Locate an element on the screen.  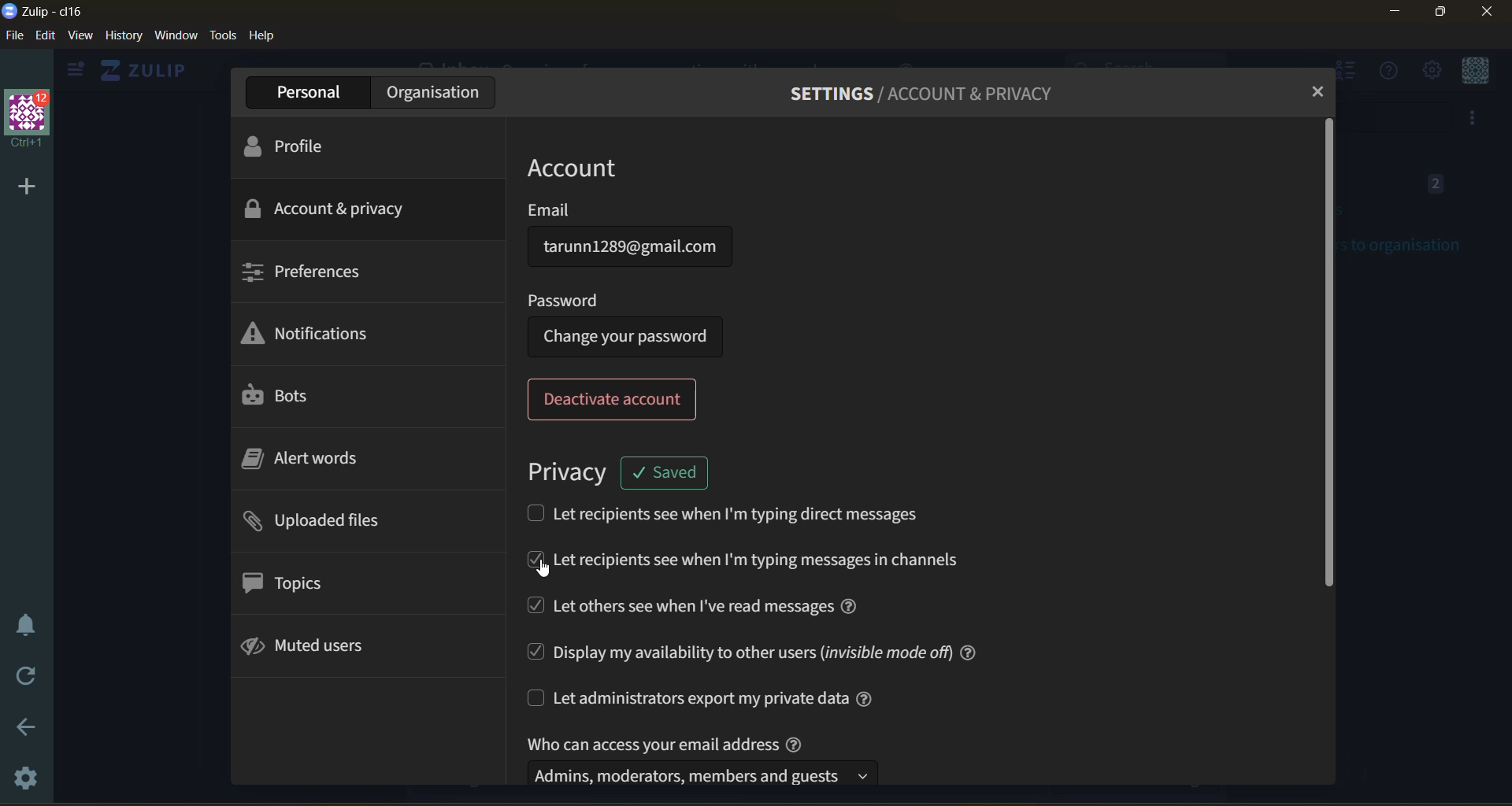
who can access your email address is located at coordinates (707, 758).